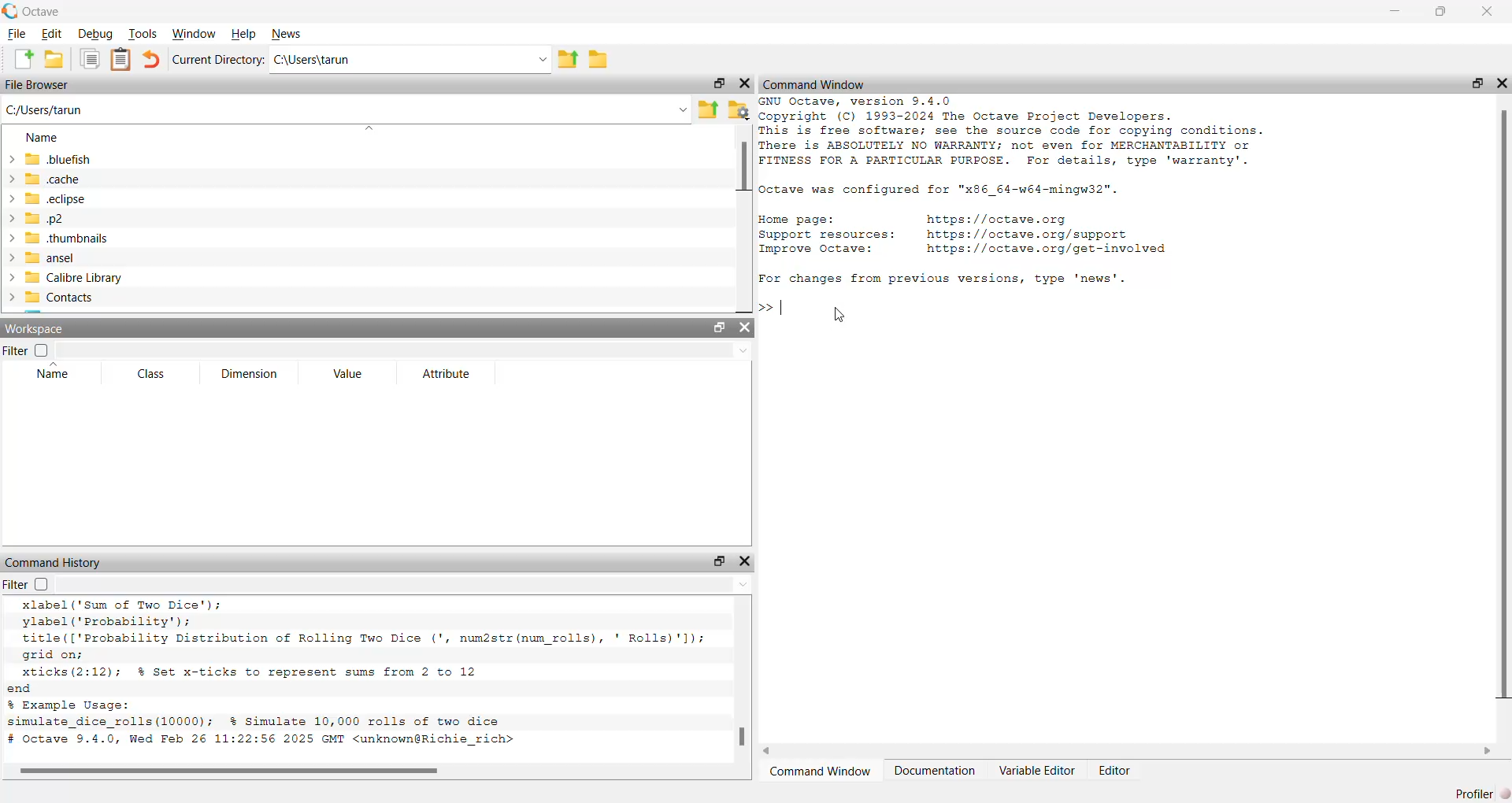 This screenshot has height=803, width=1512. I want to click on Calibrel Library, so click(65, 279).